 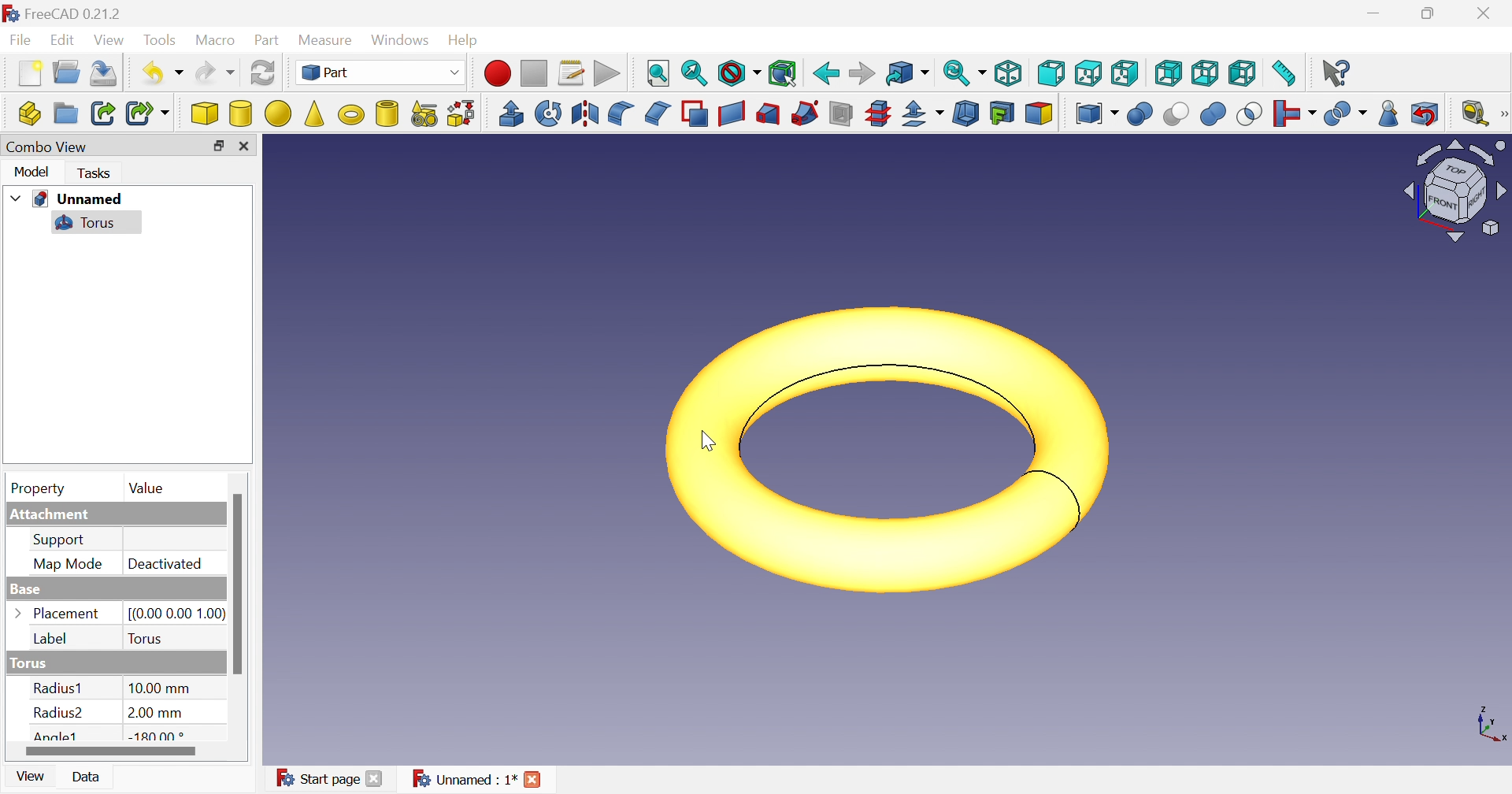 I want to click on Restore down, so click(x=1429, y=14).